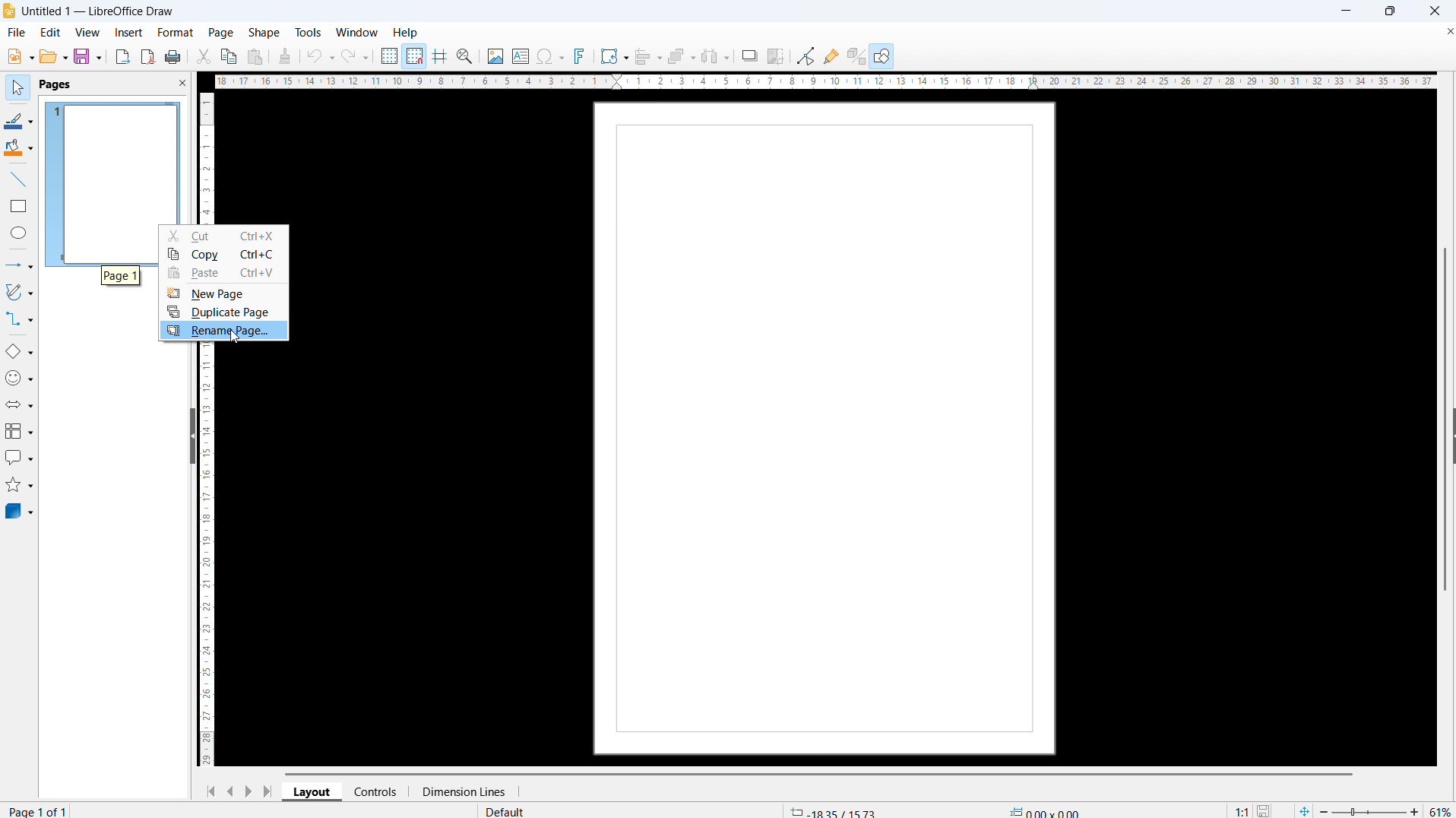  I want to click on Horizontal ruler , so click(824, 81).